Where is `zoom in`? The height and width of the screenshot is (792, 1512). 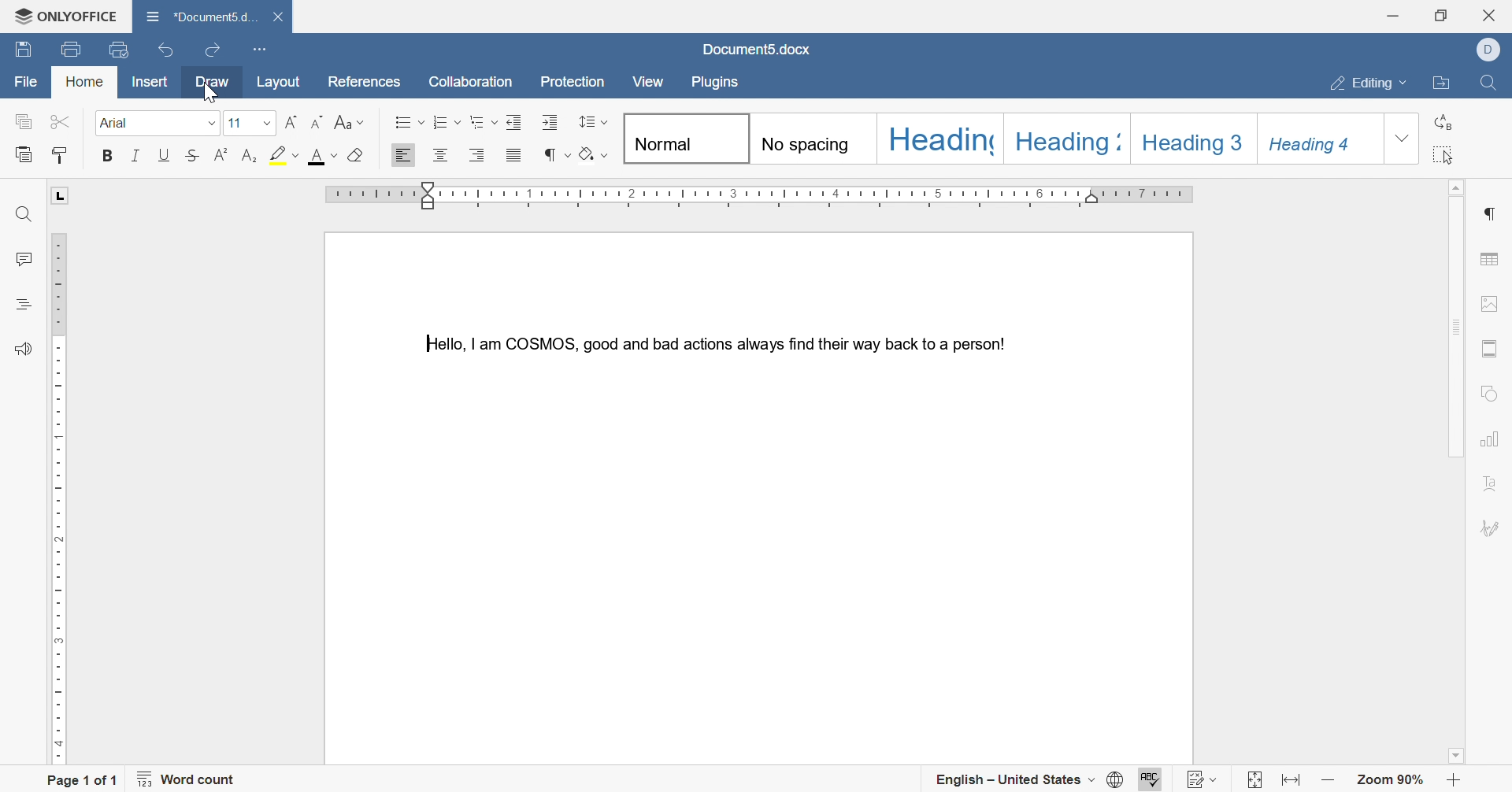
zoom in is located at coordinates (1453, 781).